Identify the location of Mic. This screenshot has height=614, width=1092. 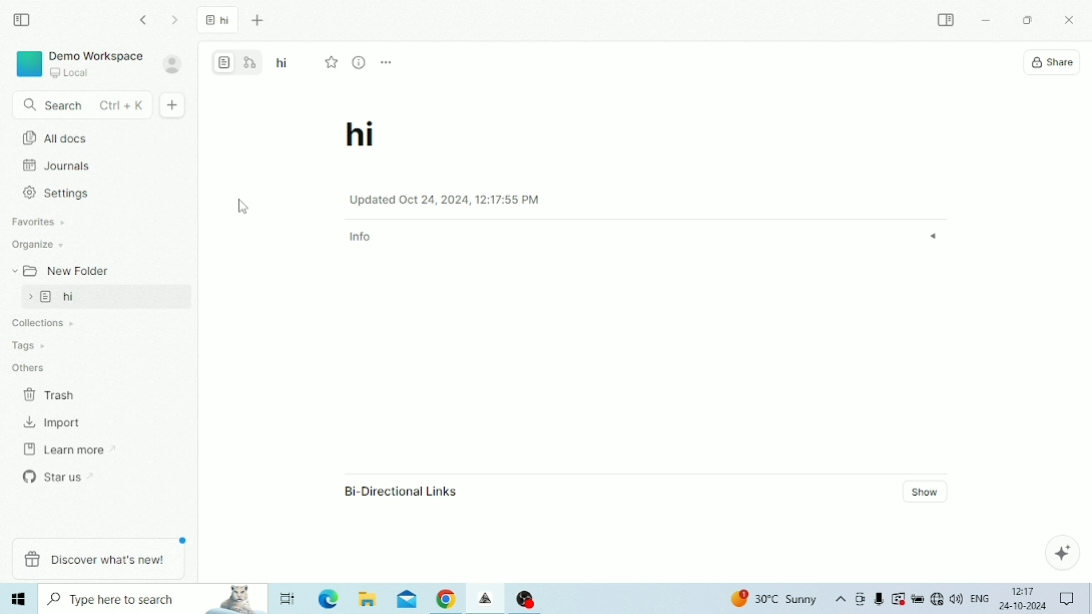
(878, 600).